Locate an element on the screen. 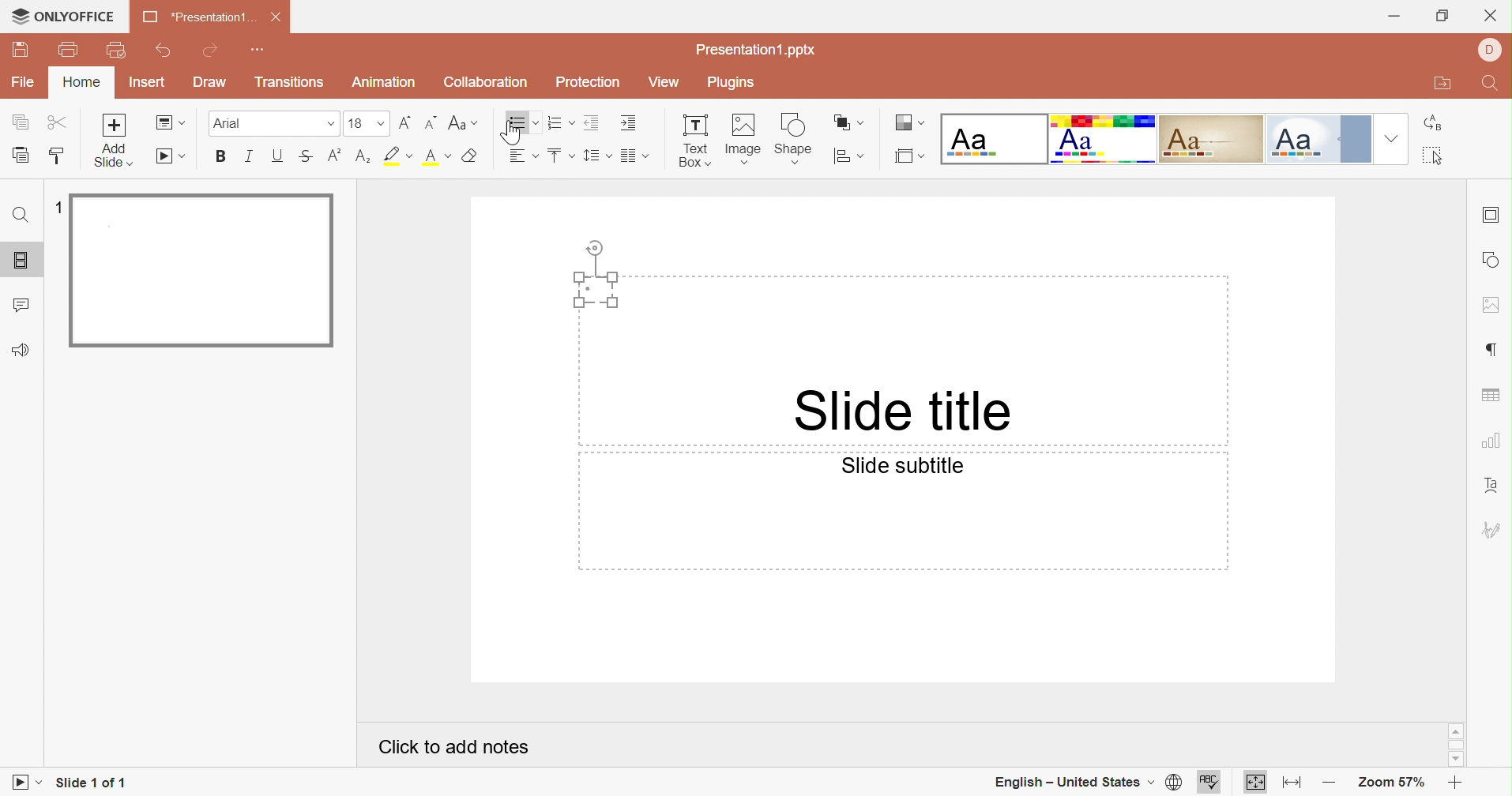  table settings is located at coordinates (1491, 396).